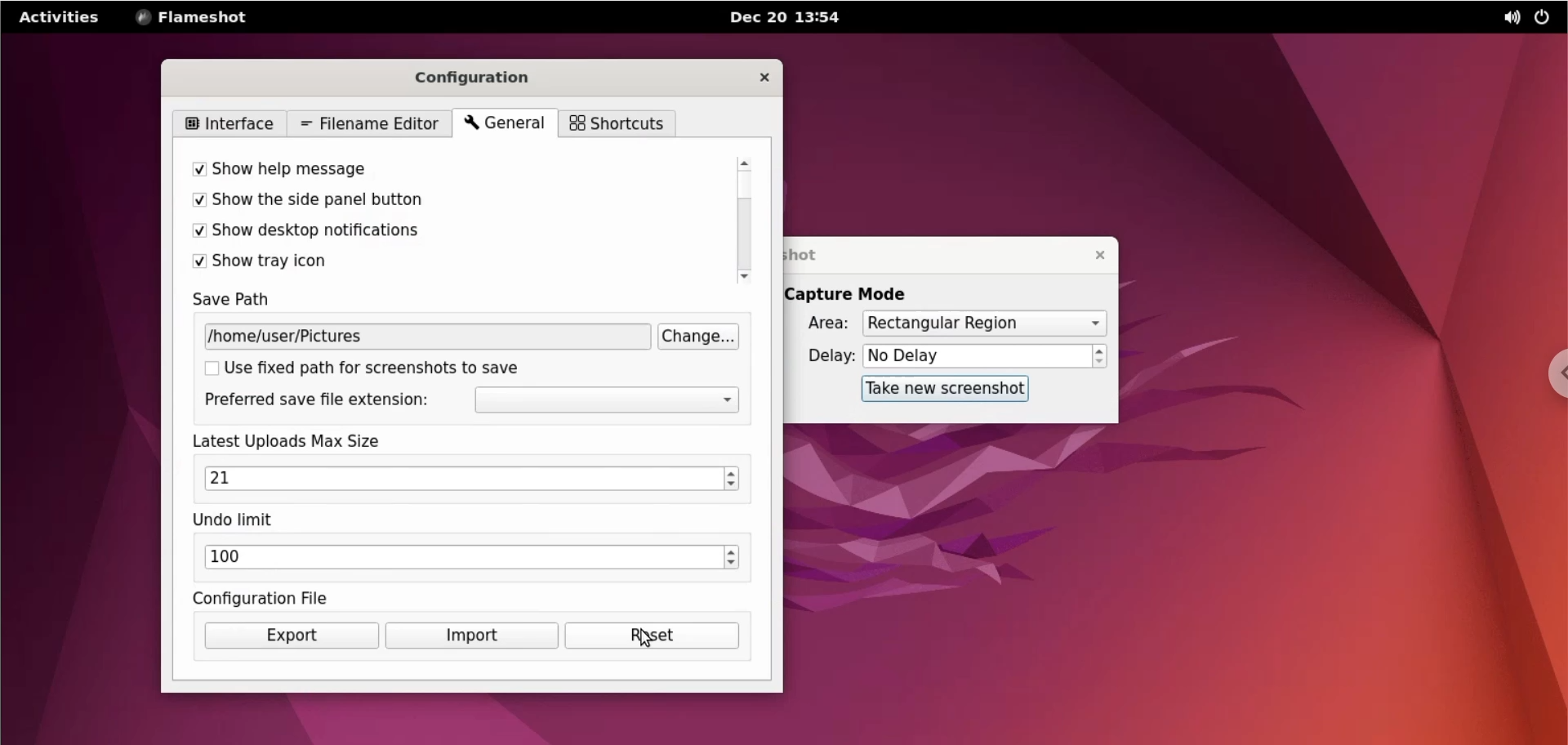 The image size is (1568, 745). I want to click on show the side panel button, so click(447, 203).